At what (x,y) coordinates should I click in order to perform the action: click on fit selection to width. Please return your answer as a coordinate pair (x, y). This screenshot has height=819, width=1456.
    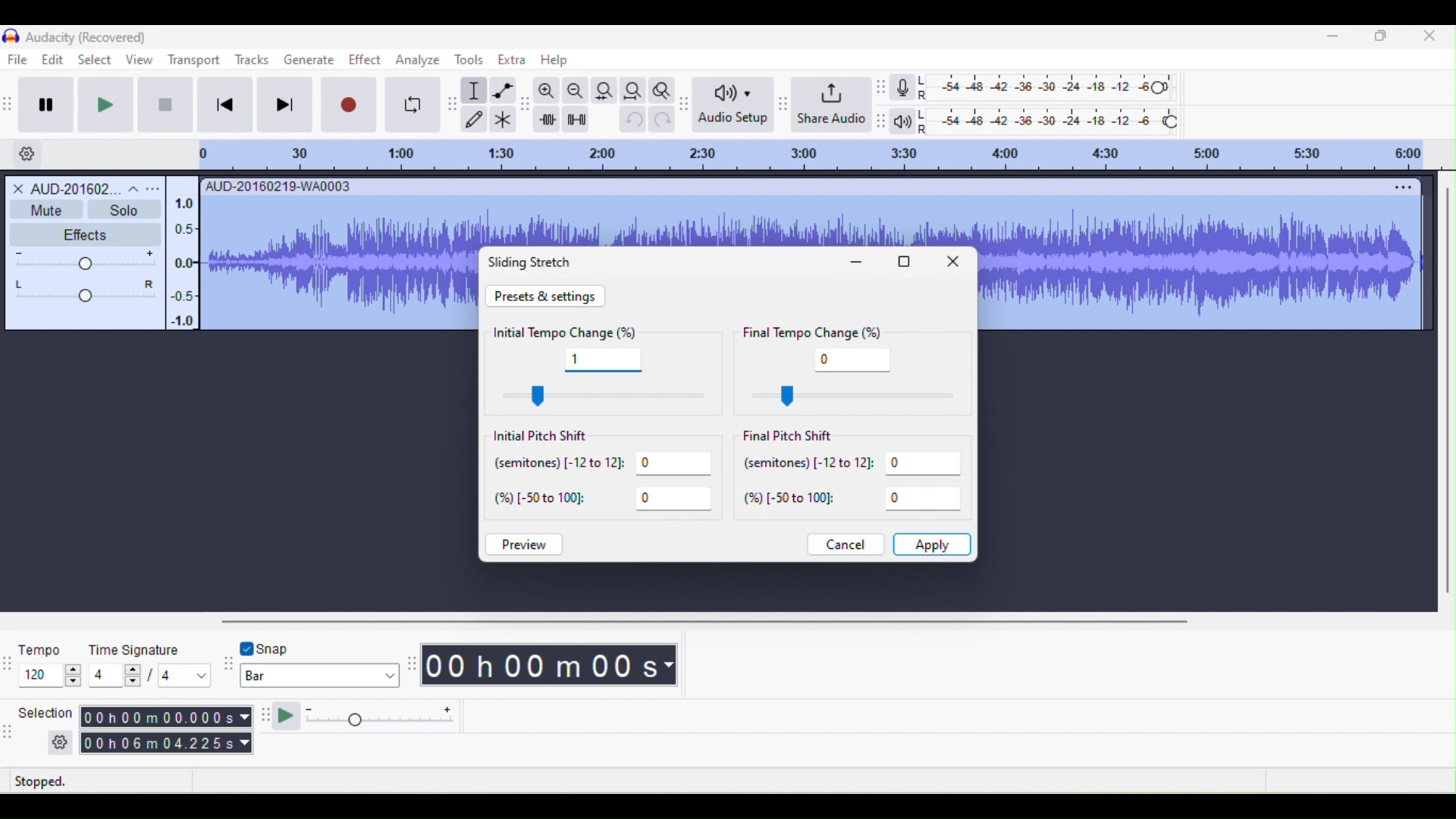
    Looking at the image, I should click on (604, 89).